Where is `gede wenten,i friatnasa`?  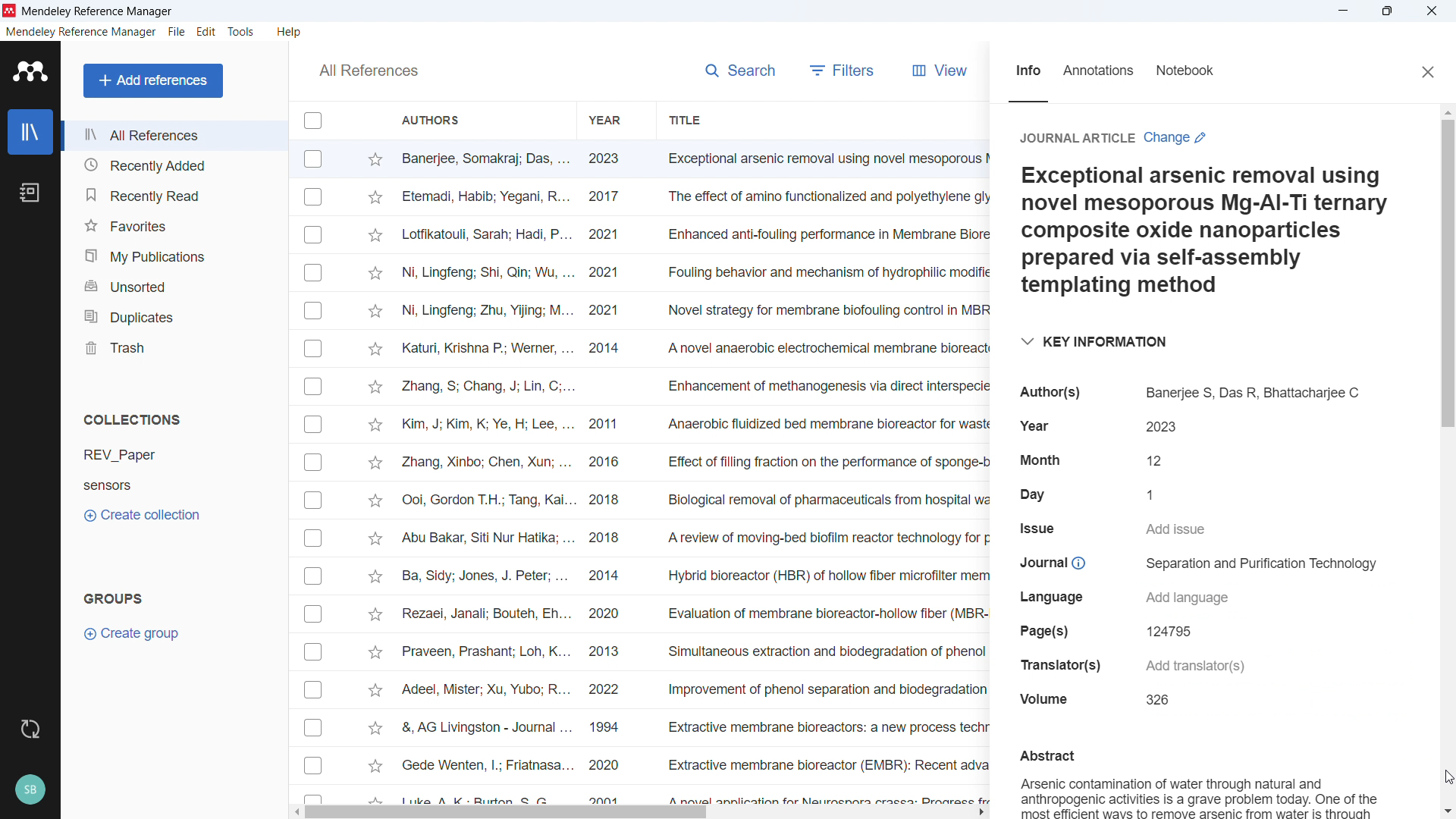
gede wenten,i friatnasa is located at coordinates (480, 761).